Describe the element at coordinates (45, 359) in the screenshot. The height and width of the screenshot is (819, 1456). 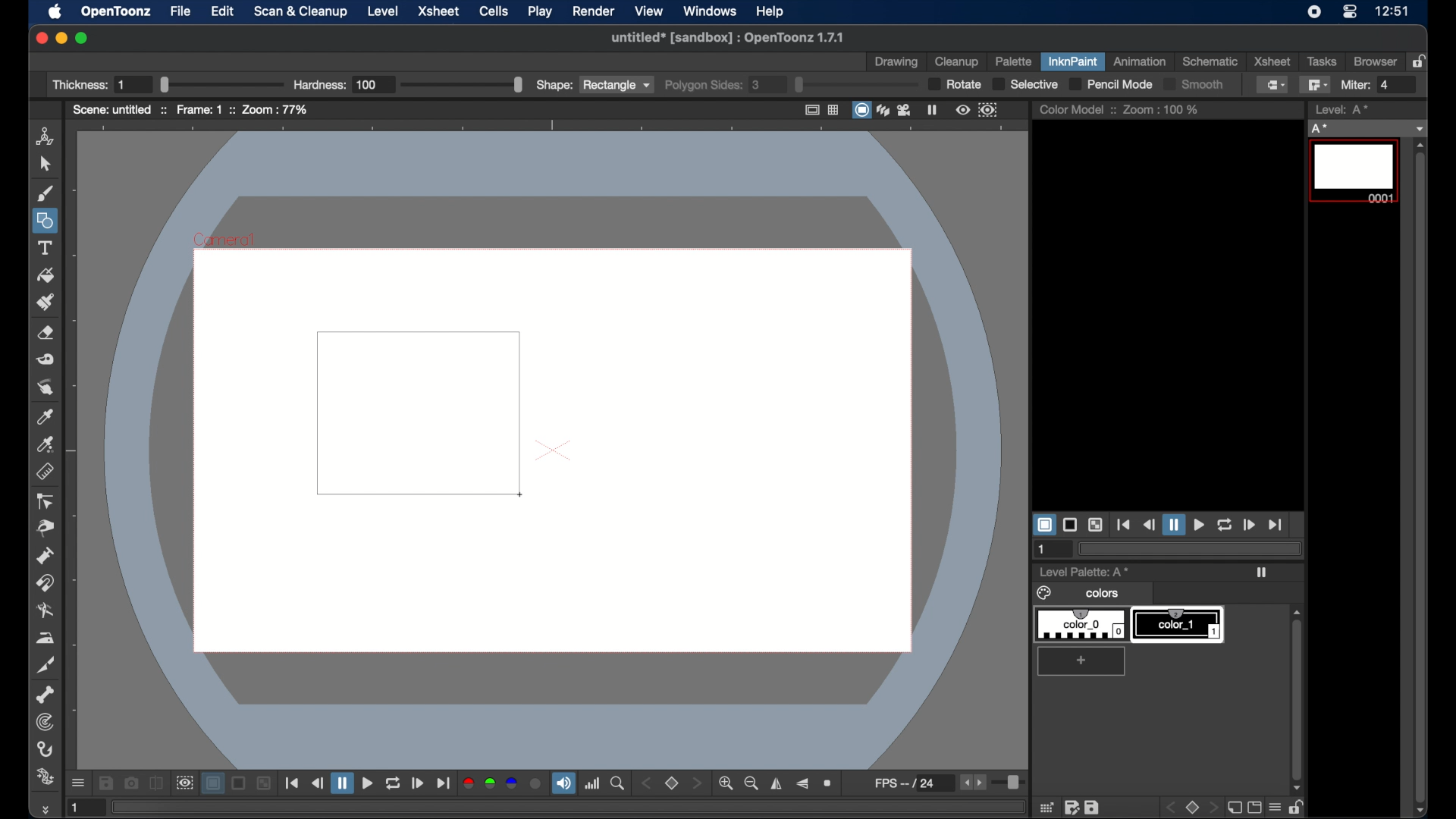
I see `tape tool` at that location.